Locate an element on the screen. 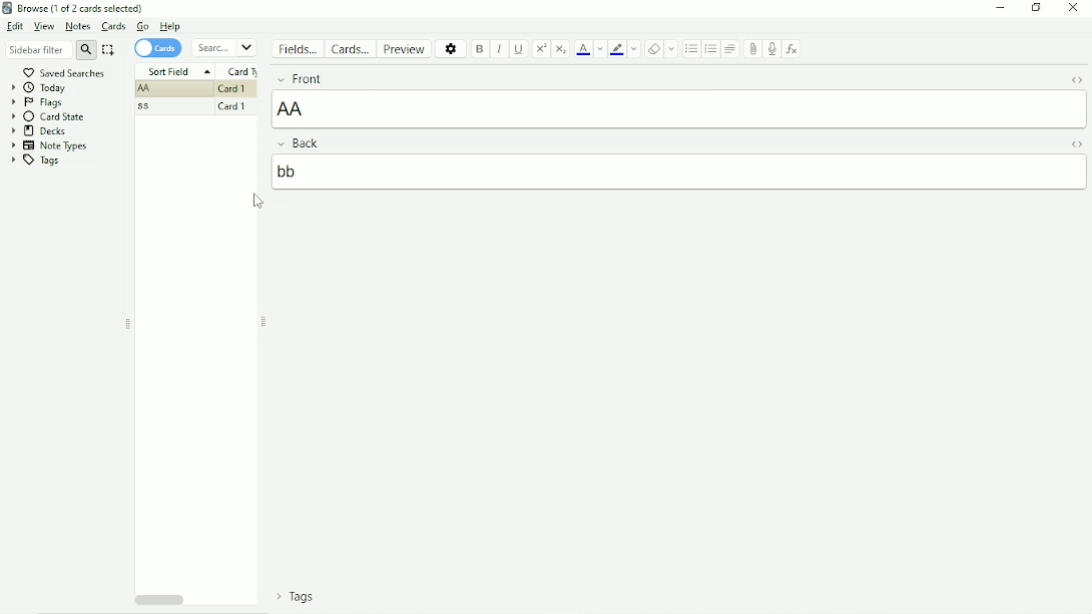  Minimize is located at coordinates (998, 10).